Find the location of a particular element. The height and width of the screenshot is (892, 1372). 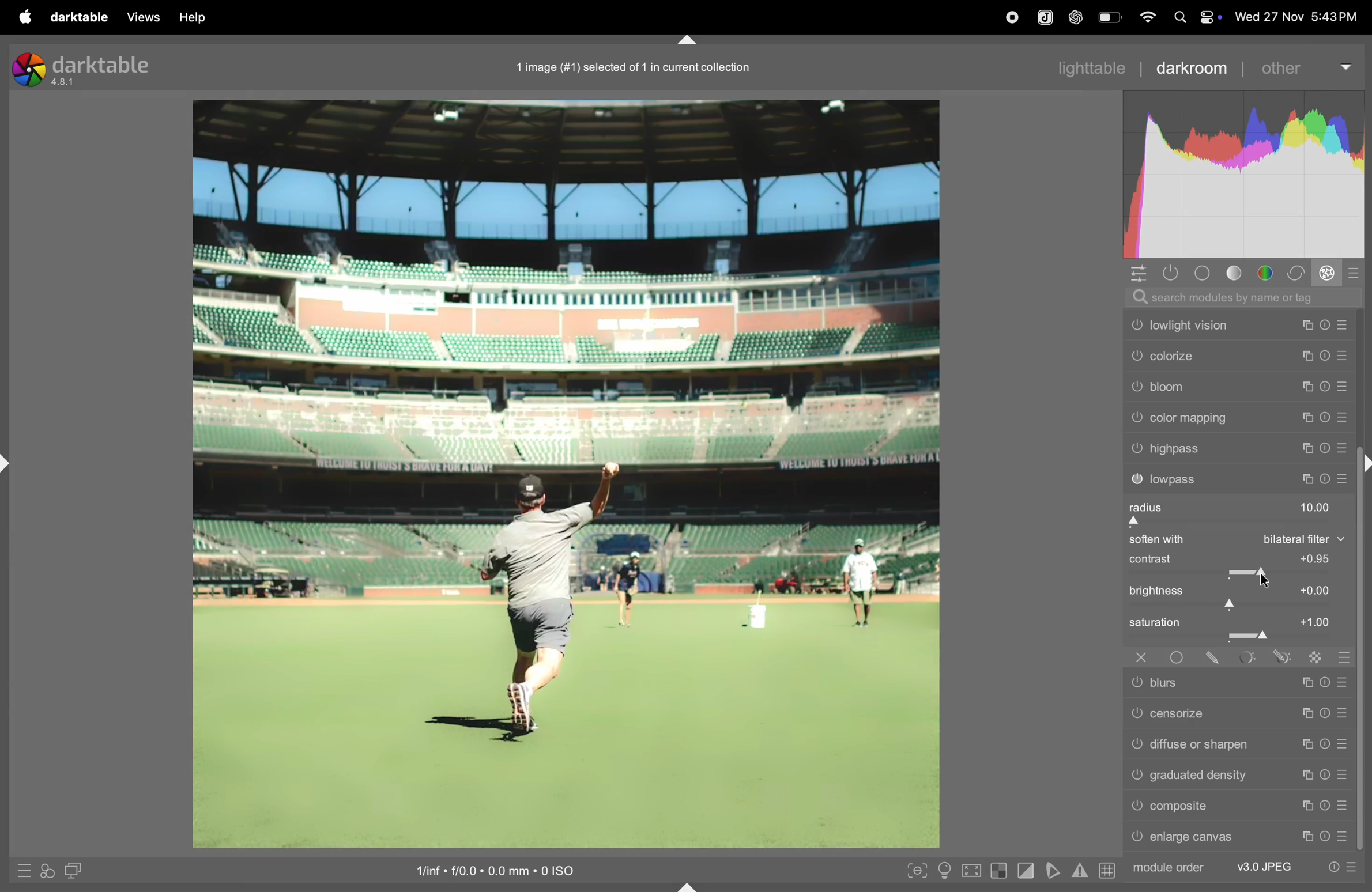

quick acess to presets is located at coordinates (19, 870).